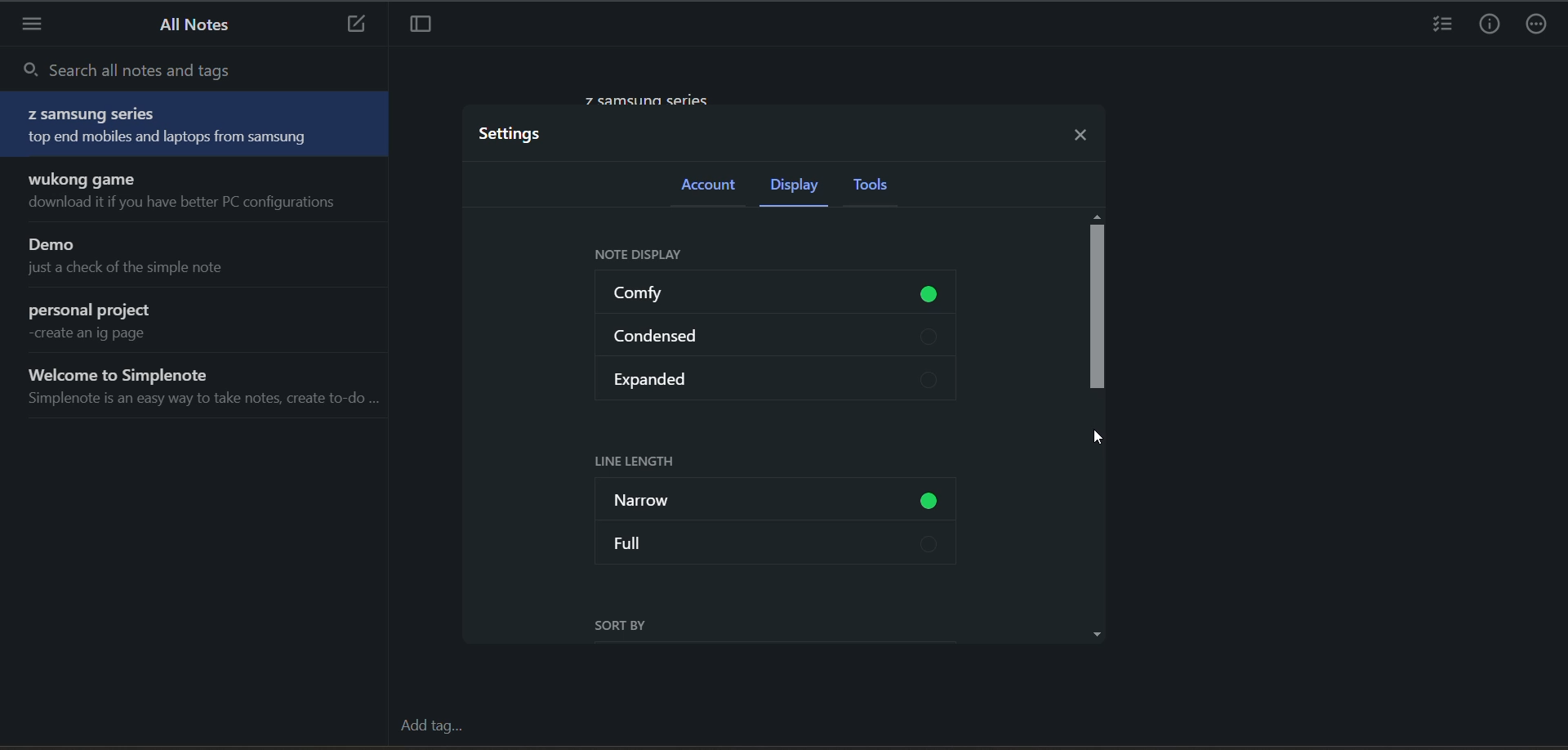 The width and height of the screenshot is (1568, 750). I want to click on info, so click(1490, 25).